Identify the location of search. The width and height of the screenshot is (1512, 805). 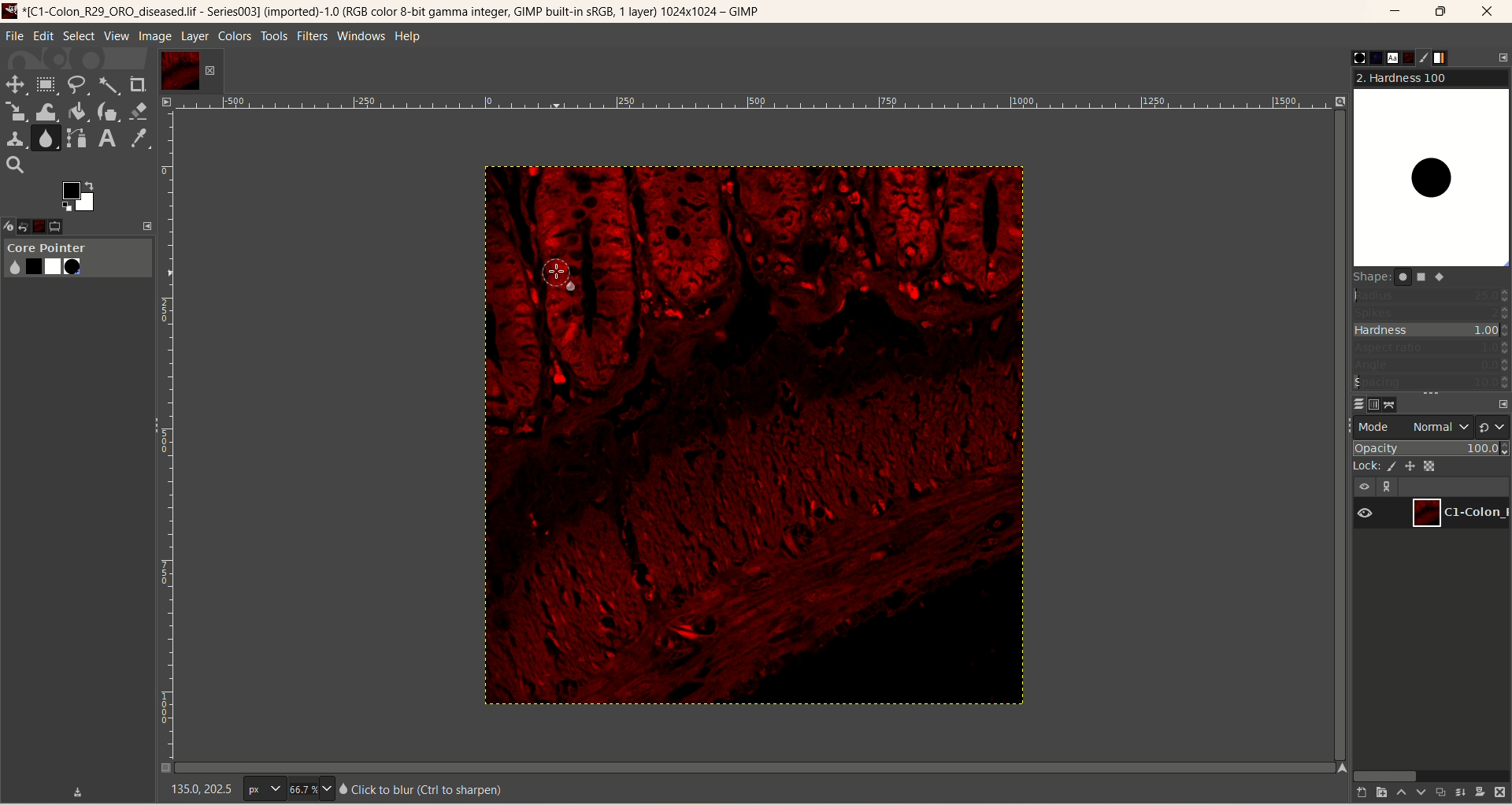
(15, 165).